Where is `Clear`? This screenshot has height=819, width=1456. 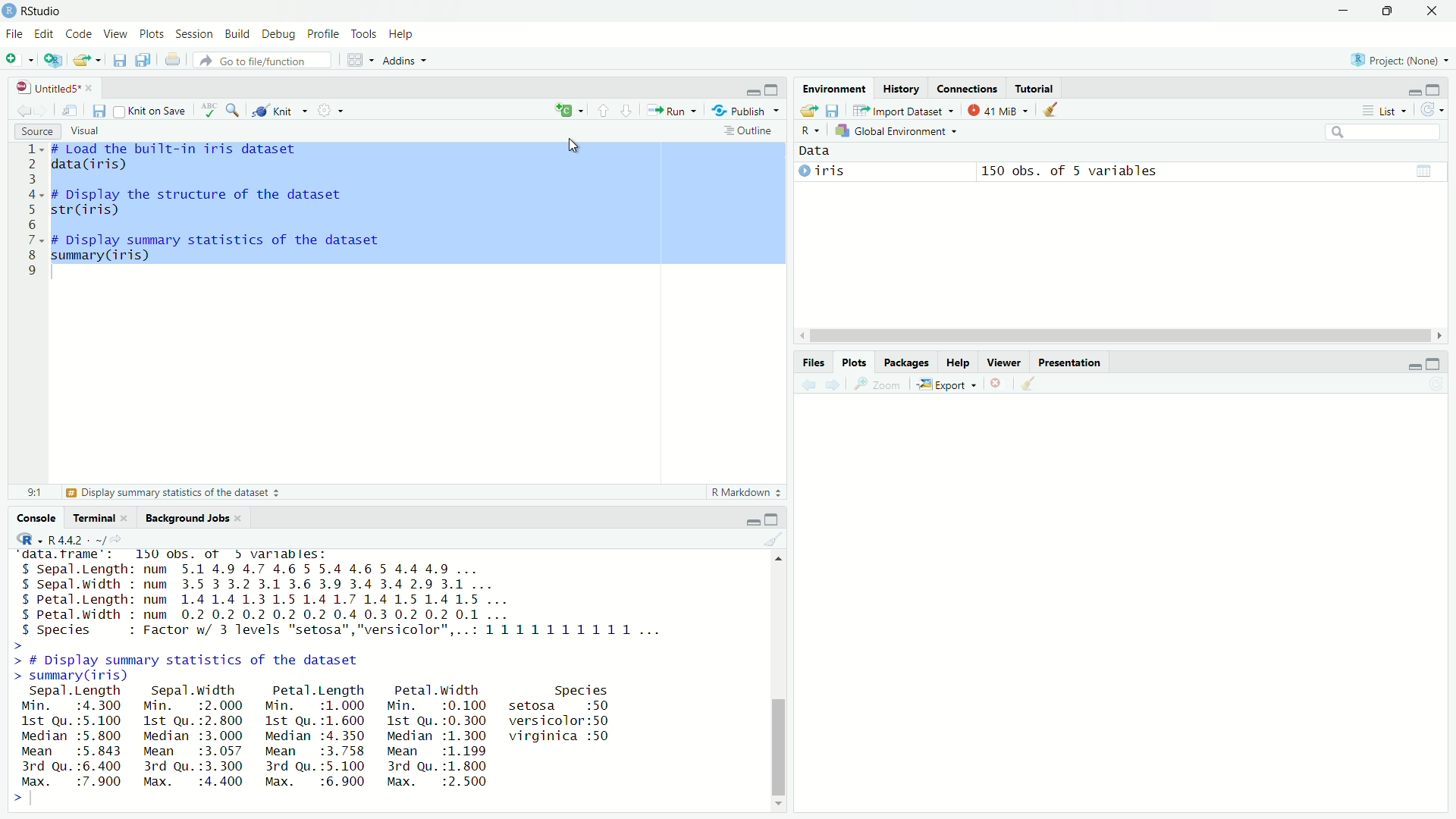 Clear is located at coordinates (1059, 110).